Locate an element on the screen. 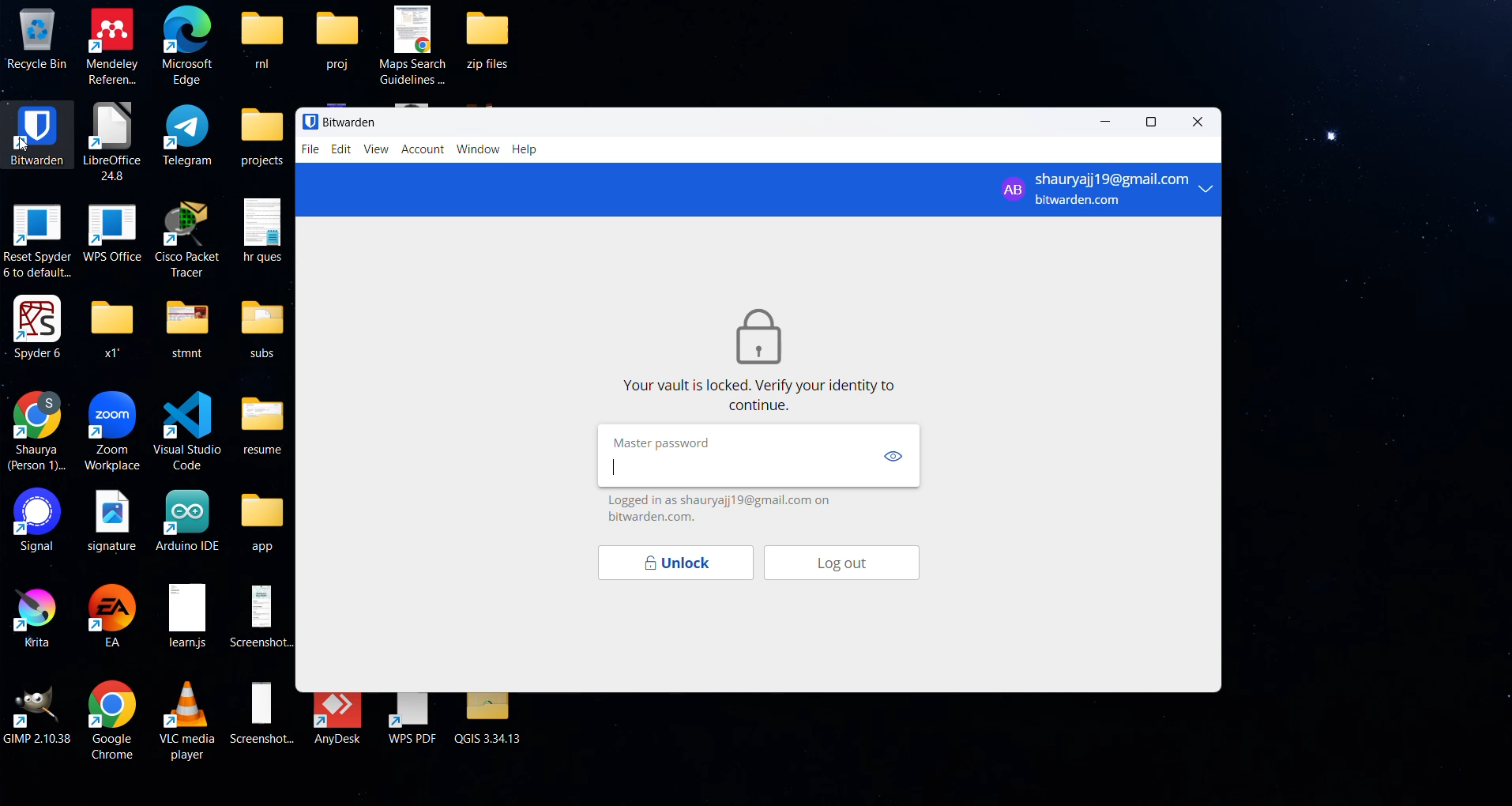  shauryajj19@gmail.com bitwarden.com is located at coordinates (1105, 188).